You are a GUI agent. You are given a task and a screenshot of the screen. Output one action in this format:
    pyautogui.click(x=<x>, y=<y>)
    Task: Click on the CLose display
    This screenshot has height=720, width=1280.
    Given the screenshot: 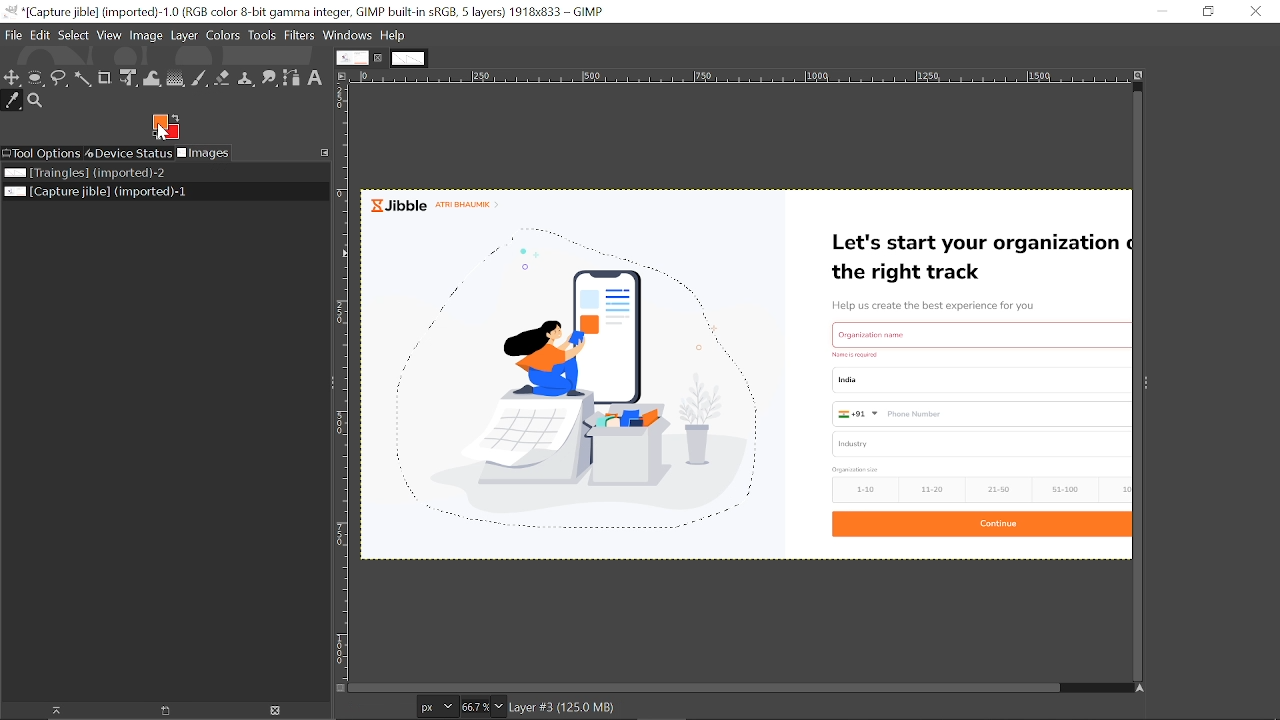 What is the action you would take?
    pyautogui.click(x=276, y=710)
    